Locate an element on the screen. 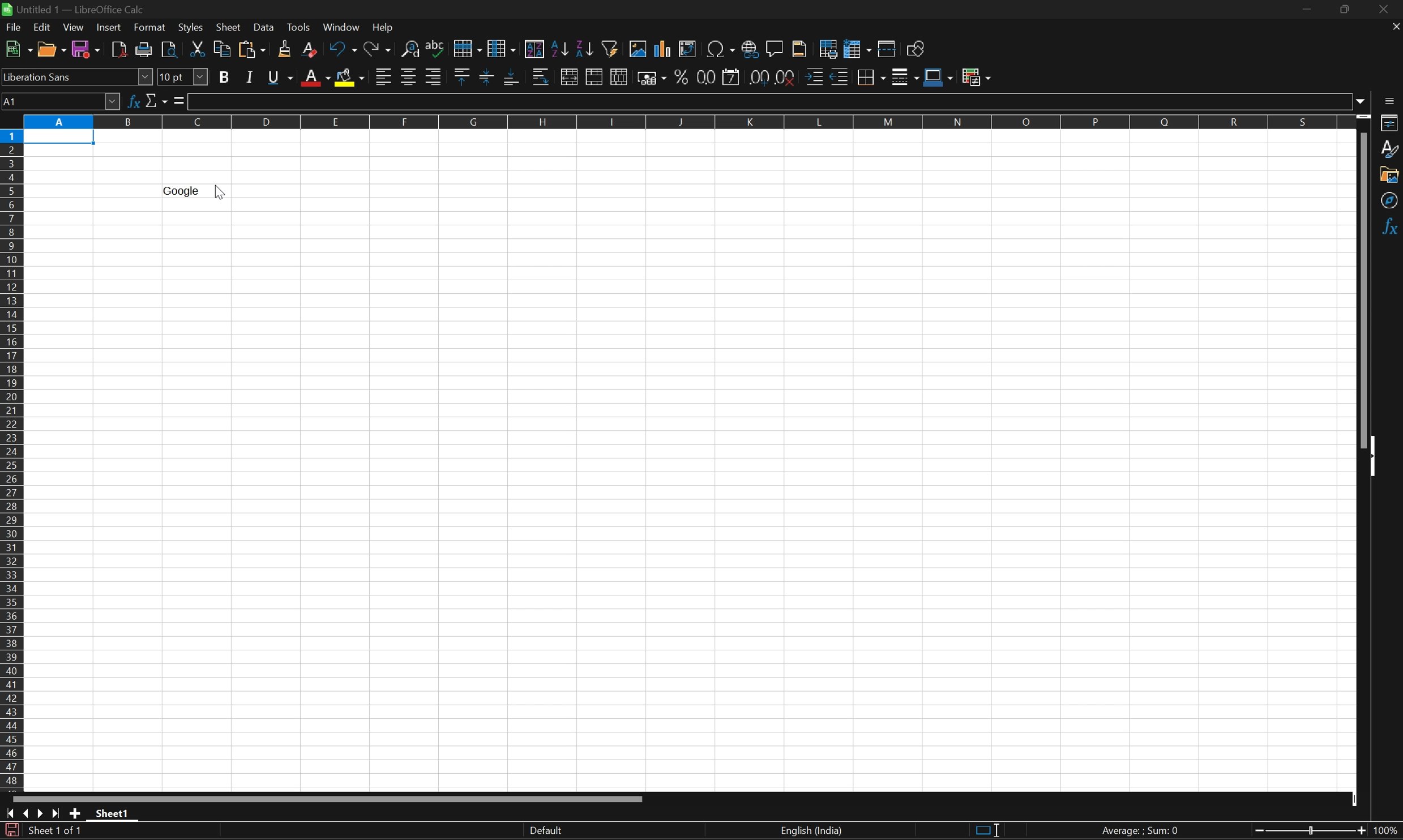 The image size is (1403, 840). Drop down is located at coordinates (1361, 100).